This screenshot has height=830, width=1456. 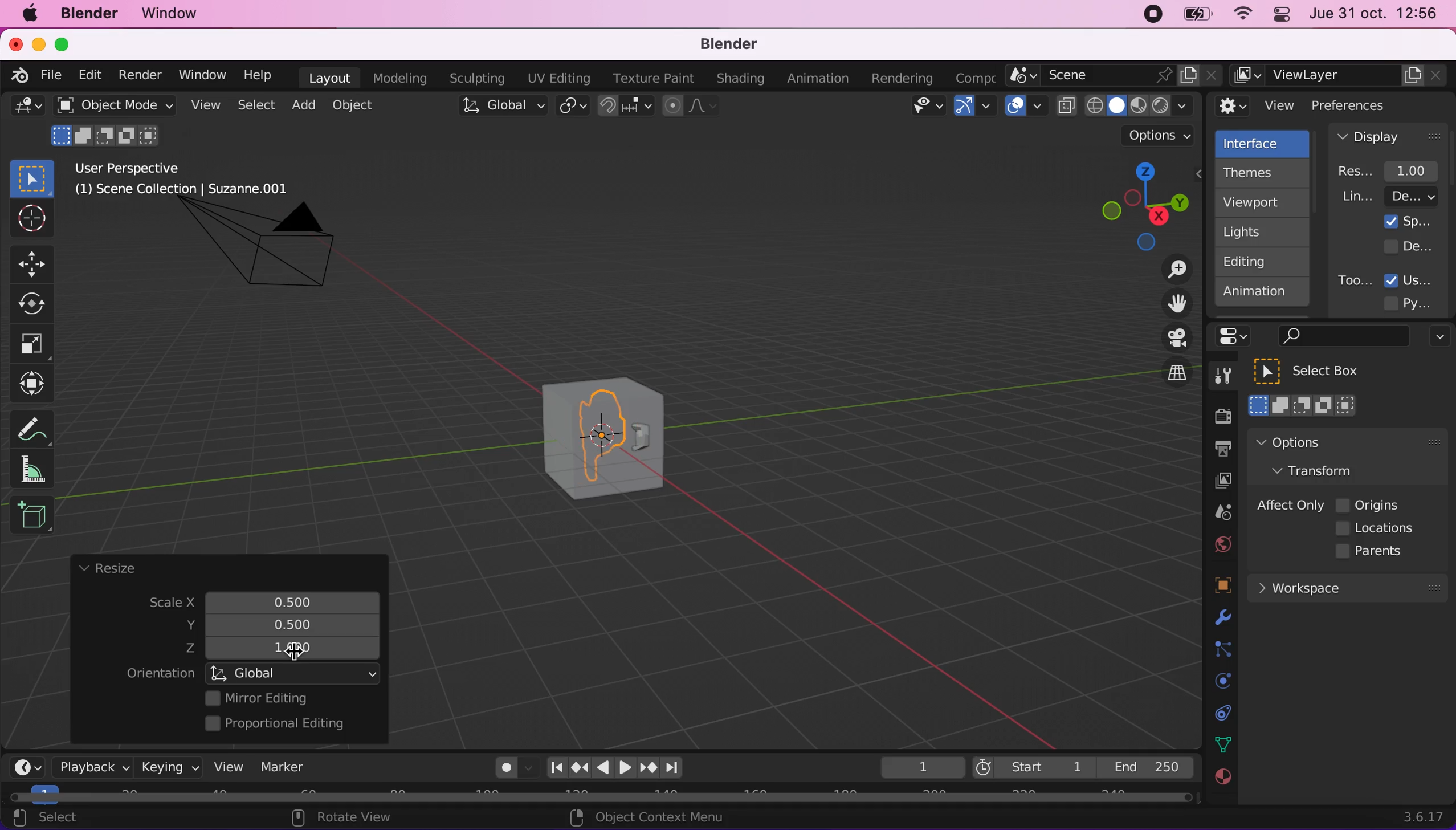 I want to click on line width, so click(x=1389, y=196).